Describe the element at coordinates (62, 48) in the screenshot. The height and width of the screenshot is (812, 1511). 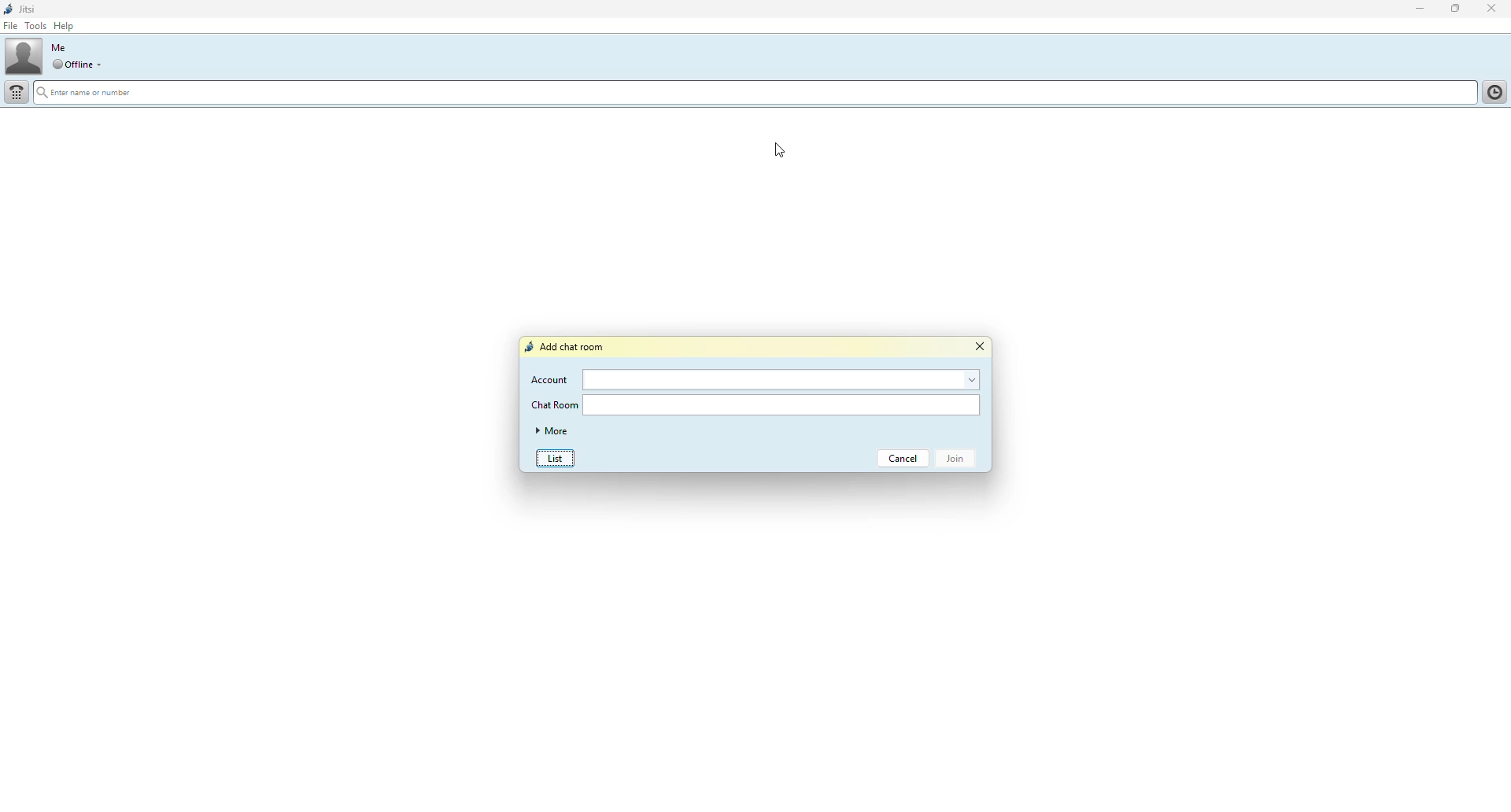
I see `me` at that location.